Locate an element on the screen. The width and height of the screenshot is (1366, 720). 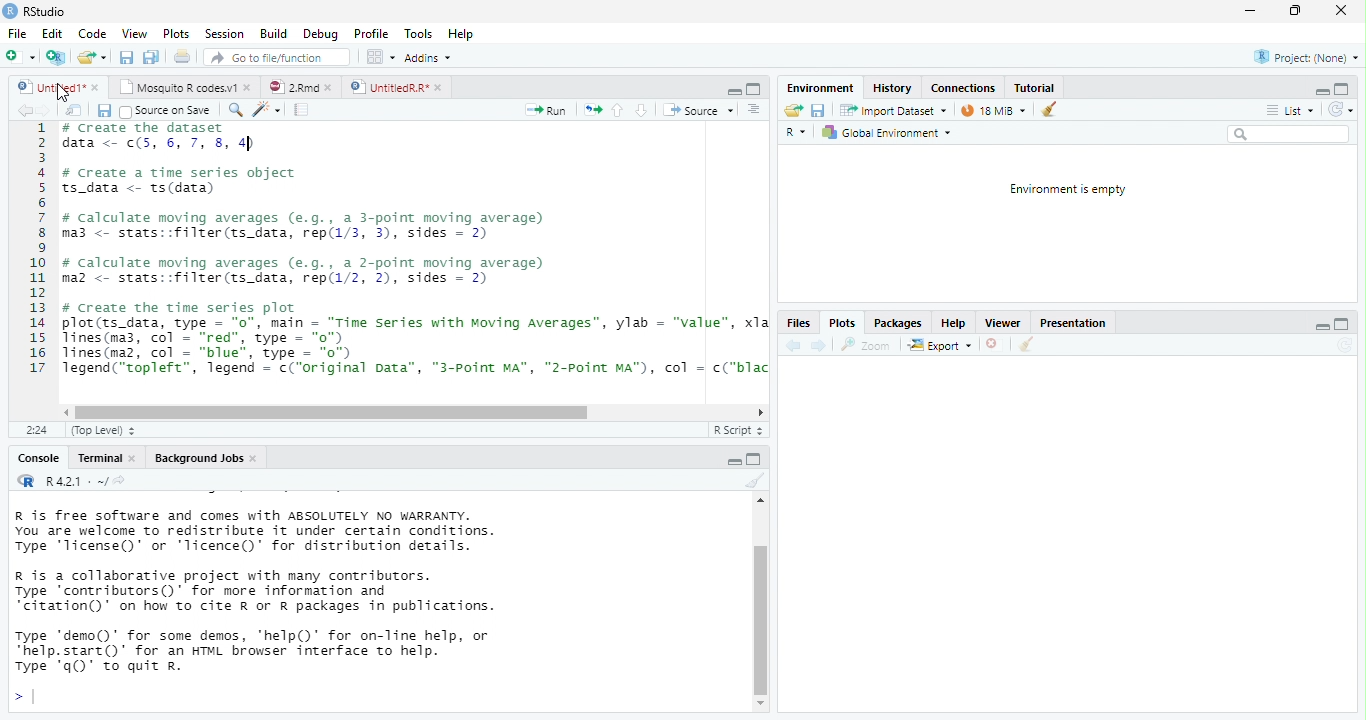
2:24 is located at coordinates (35, 431).